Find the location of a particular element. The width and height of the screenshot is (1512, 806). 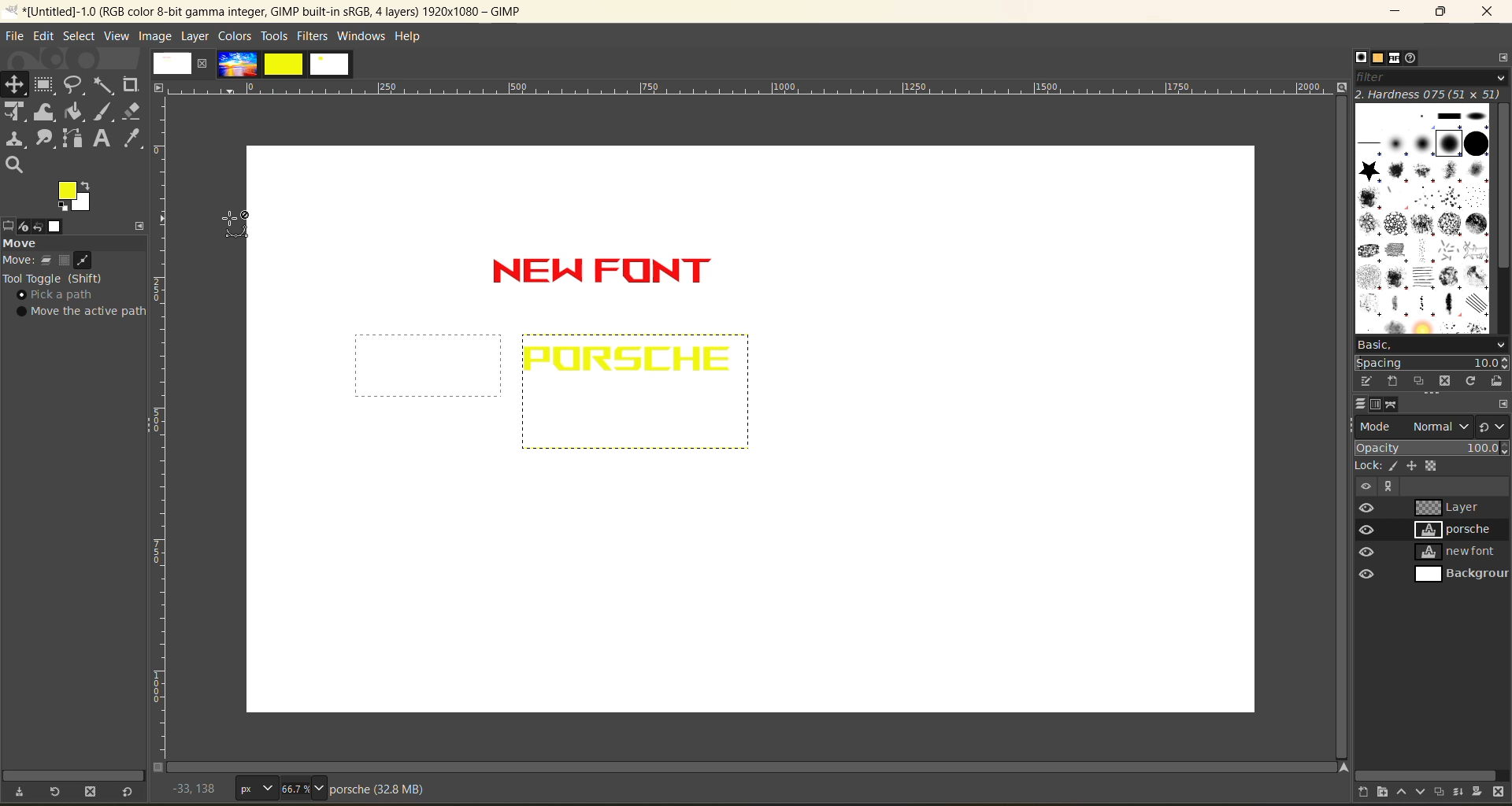

coordinates is located at coordinates (192, 788).